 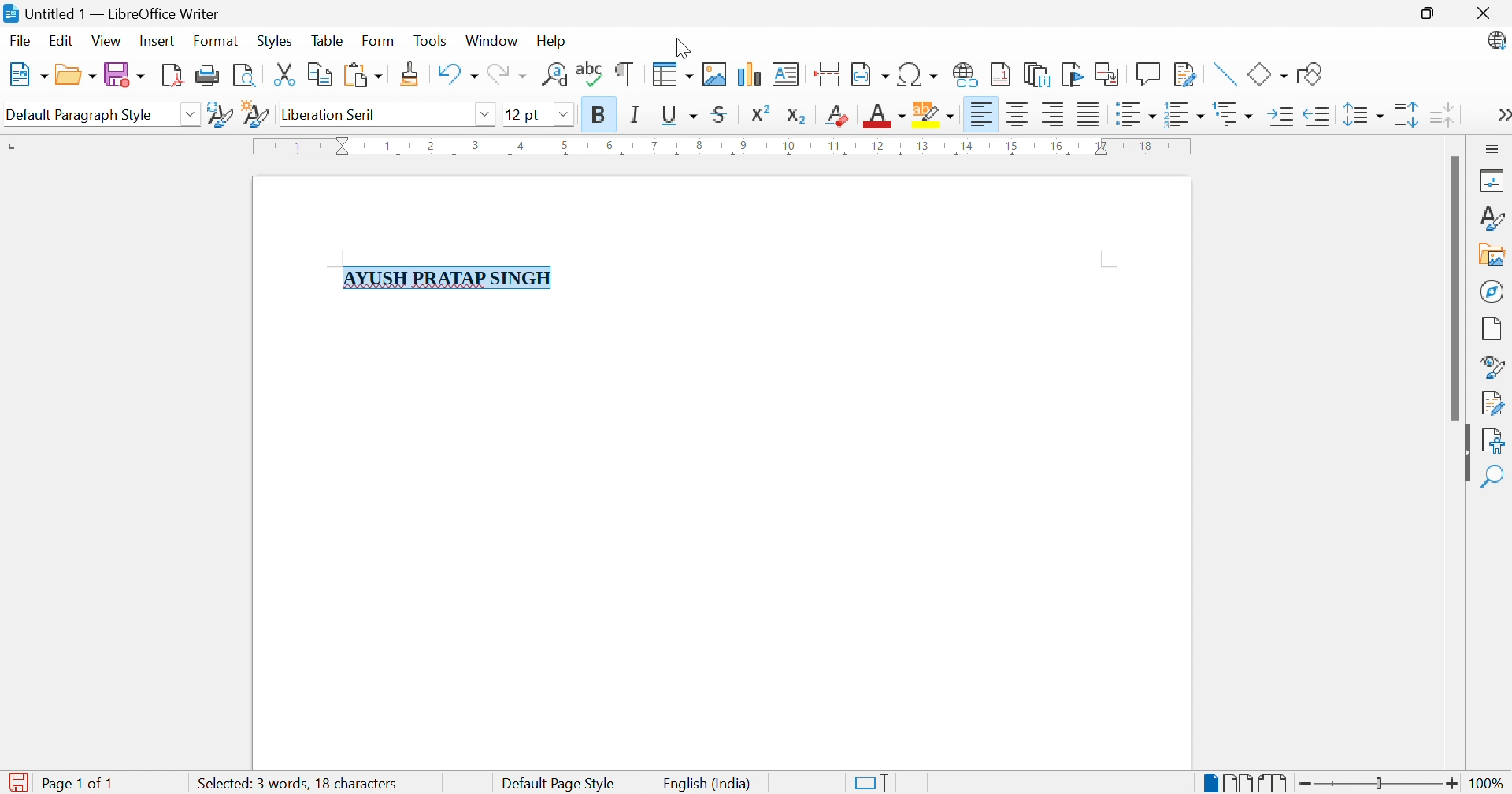 I want to click on Ruler, so click(x=725, y=148).